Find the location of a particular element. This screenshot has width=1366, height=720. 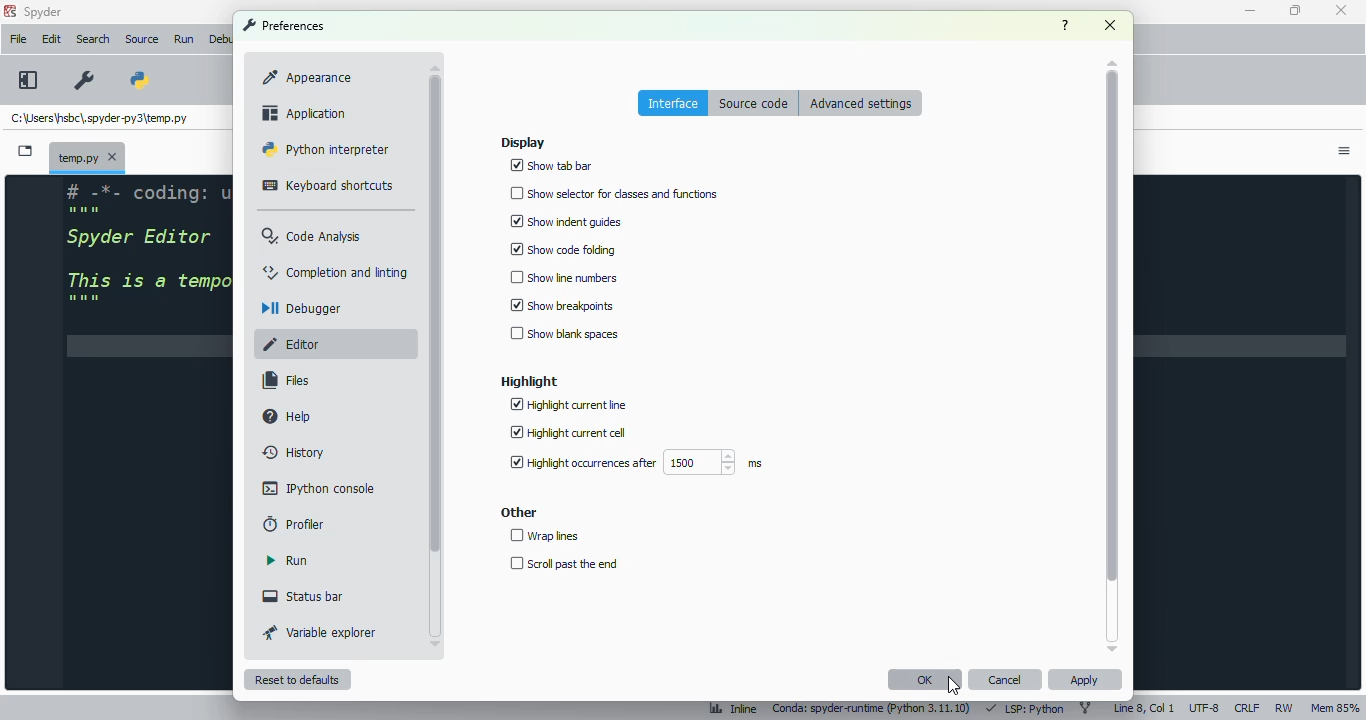

LSP: Python is located at coordinates (1024, 709).